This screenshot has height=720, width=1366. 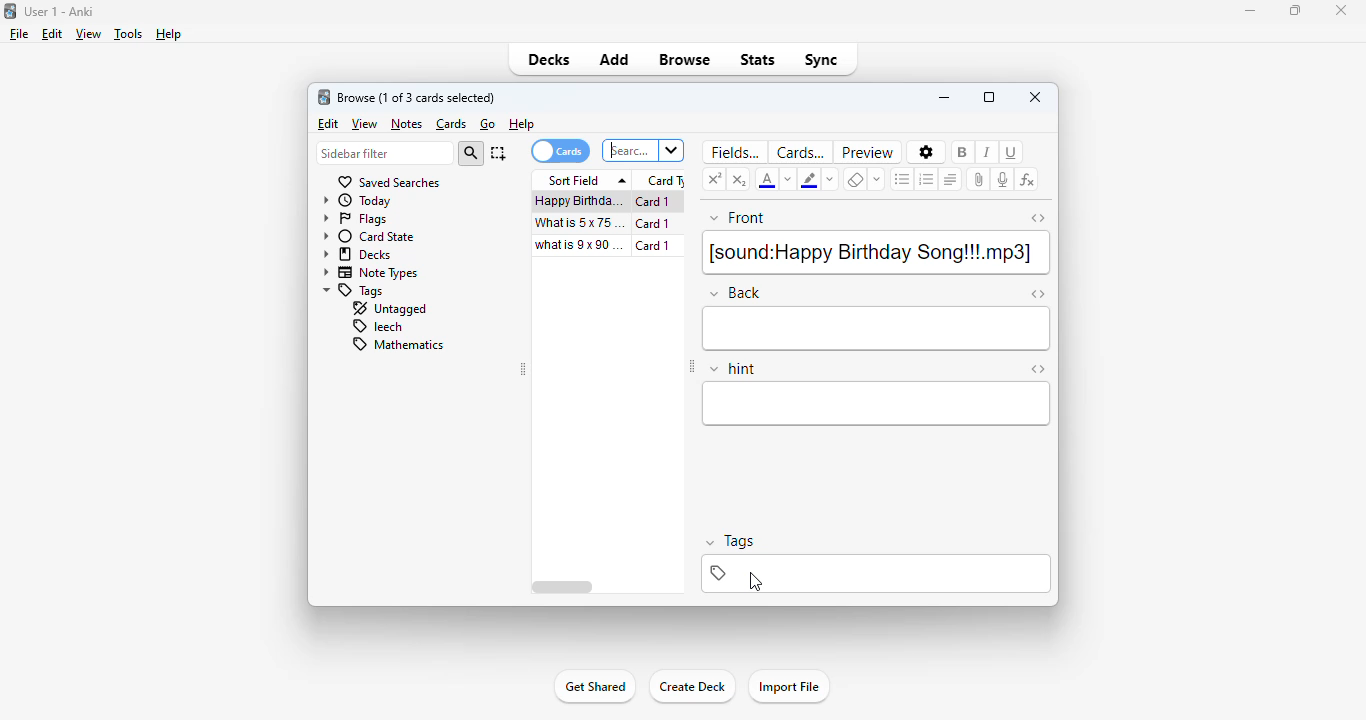 What do you see at coordinates (990, 97) in the screenshot?
I see `maximize` at bounding box center [990, 97].